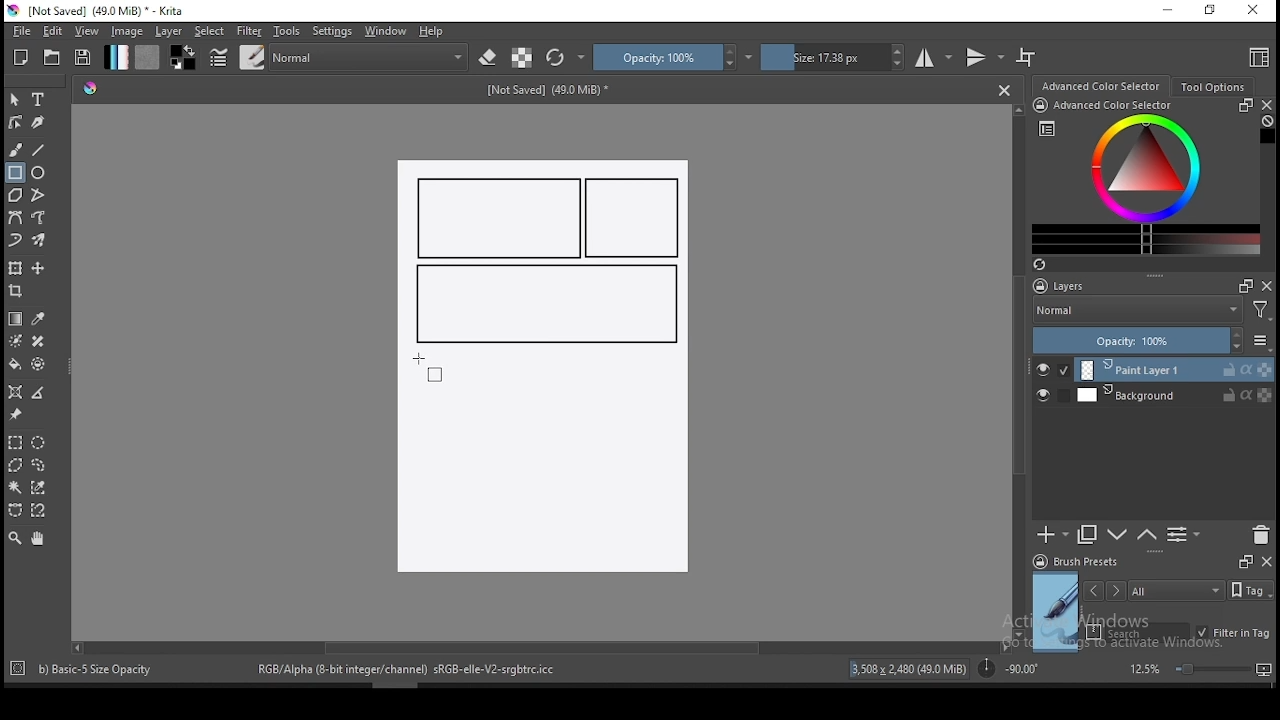 This screenshot has width=1280, height=720. Describe the element at coordinates (1255, 11) in the screenshot. I see ` close window` at that location.